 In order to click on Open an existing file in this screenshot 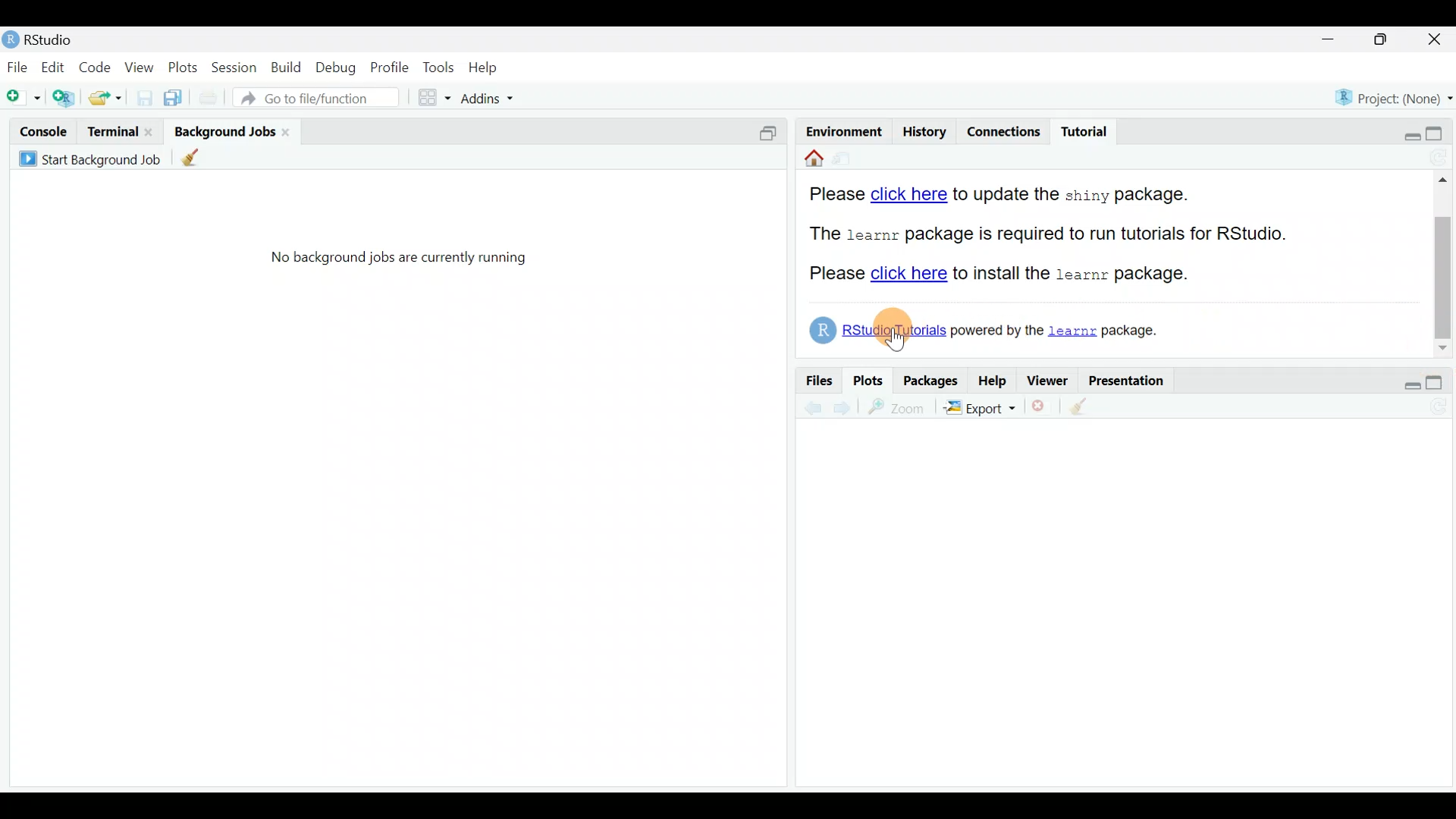, I will do `click(105, 96)`.